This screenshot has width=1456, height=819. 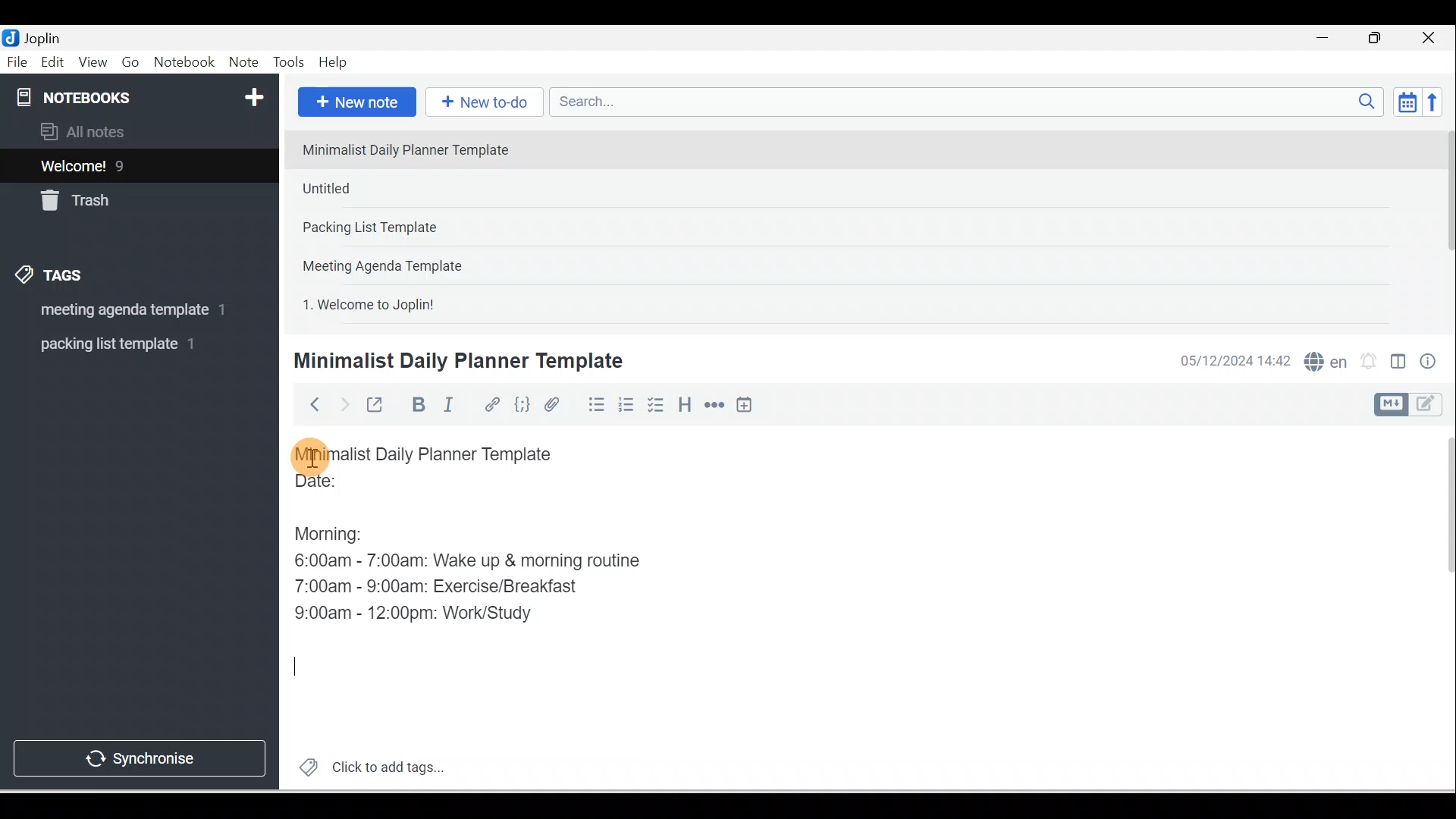 What do you see at coordinates (971, 102) in the screenshot?
I see `Search bar` at bounding box center [971, 102].